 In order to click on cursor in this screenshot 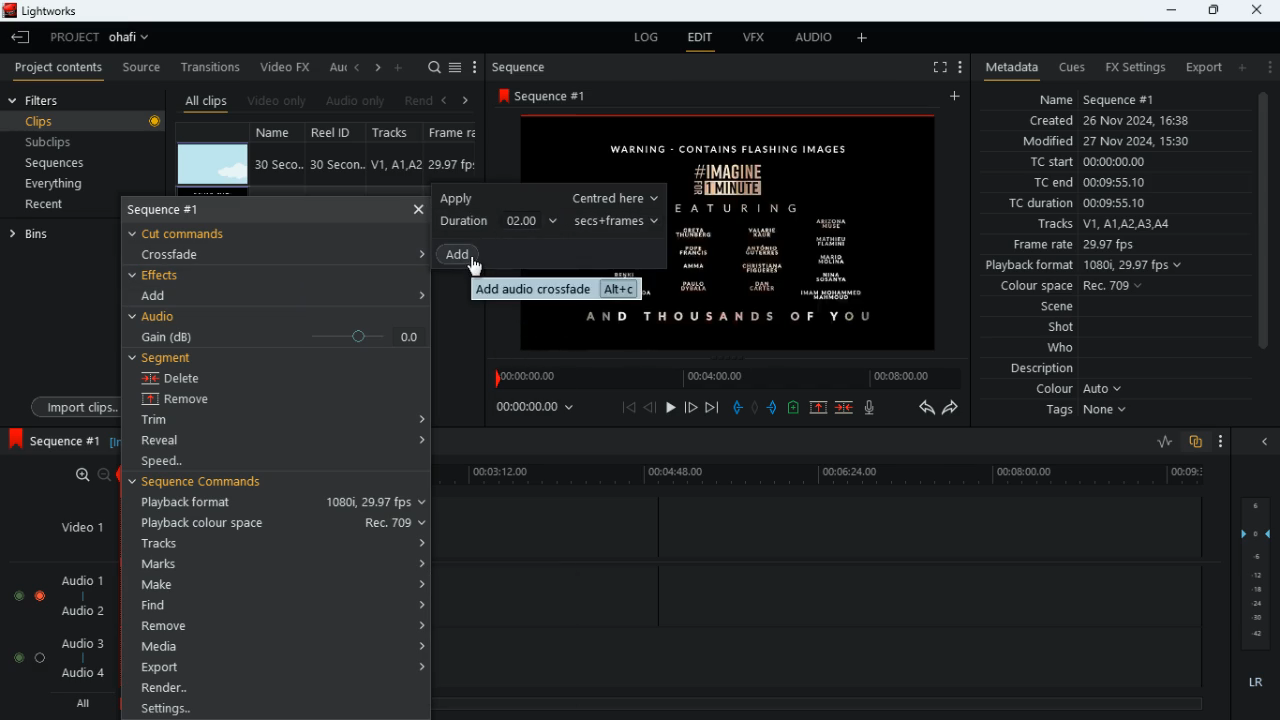, I will do `click(481, 267)`.